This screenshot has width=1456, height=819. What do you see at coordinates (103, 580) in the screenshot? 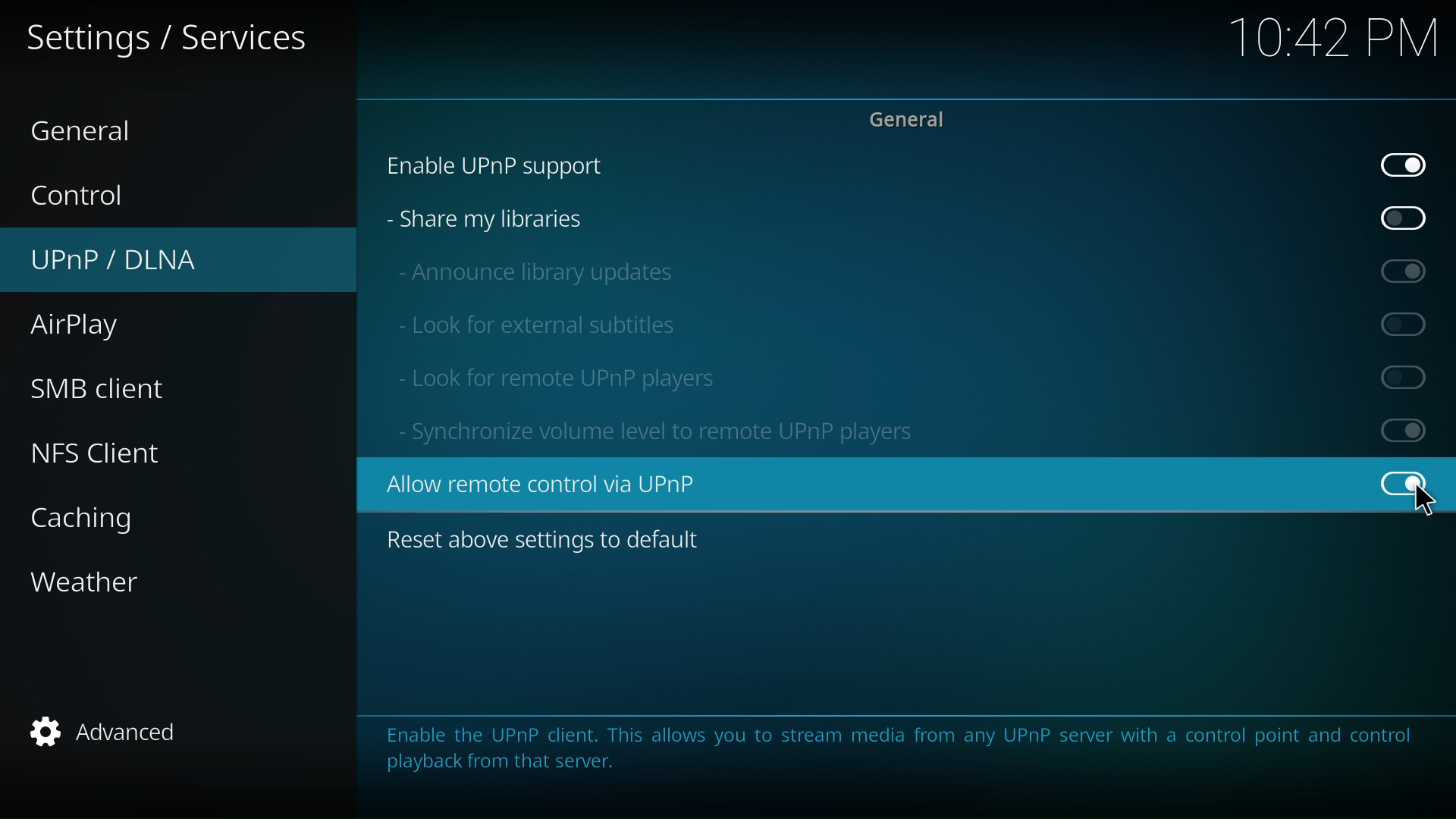
I see `weather` at bounding box center [103, 580].